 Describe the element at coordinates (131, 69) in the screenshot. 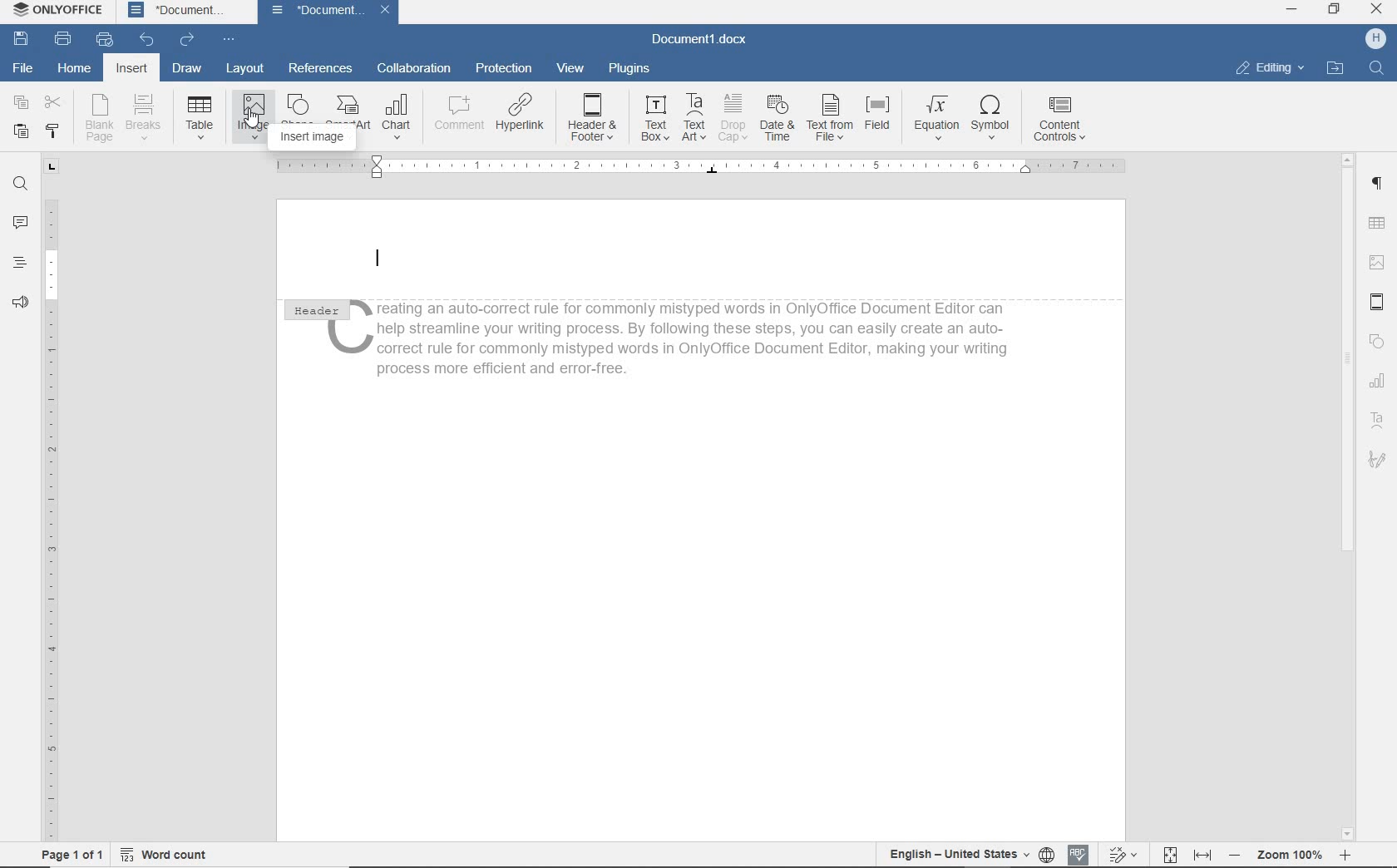

I see `INSERT` at that location.